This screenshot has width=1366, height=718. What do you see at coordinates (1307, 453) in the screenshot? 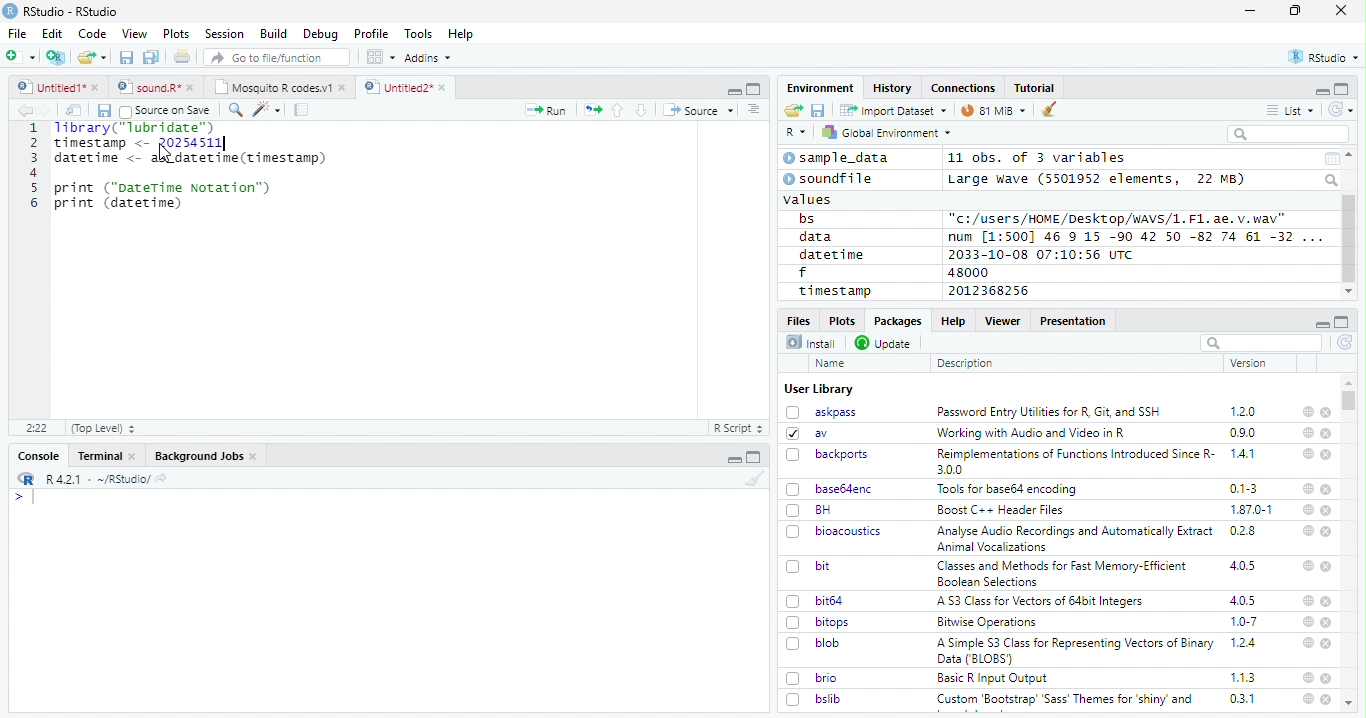
I see `help` at bounding box center [1307, 453].